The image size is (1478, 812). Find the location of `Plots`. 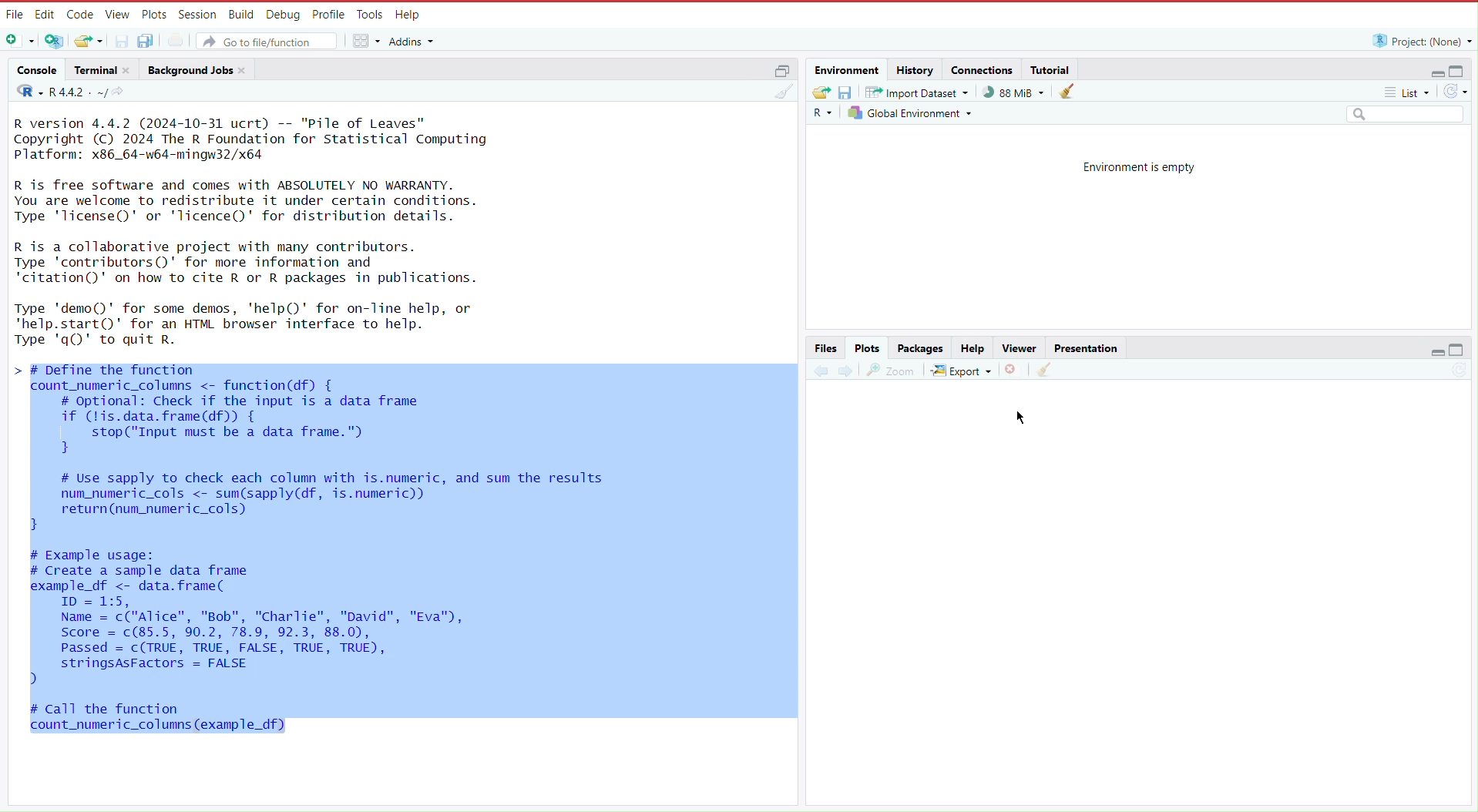

Plots is located at coordinates (153, 14).